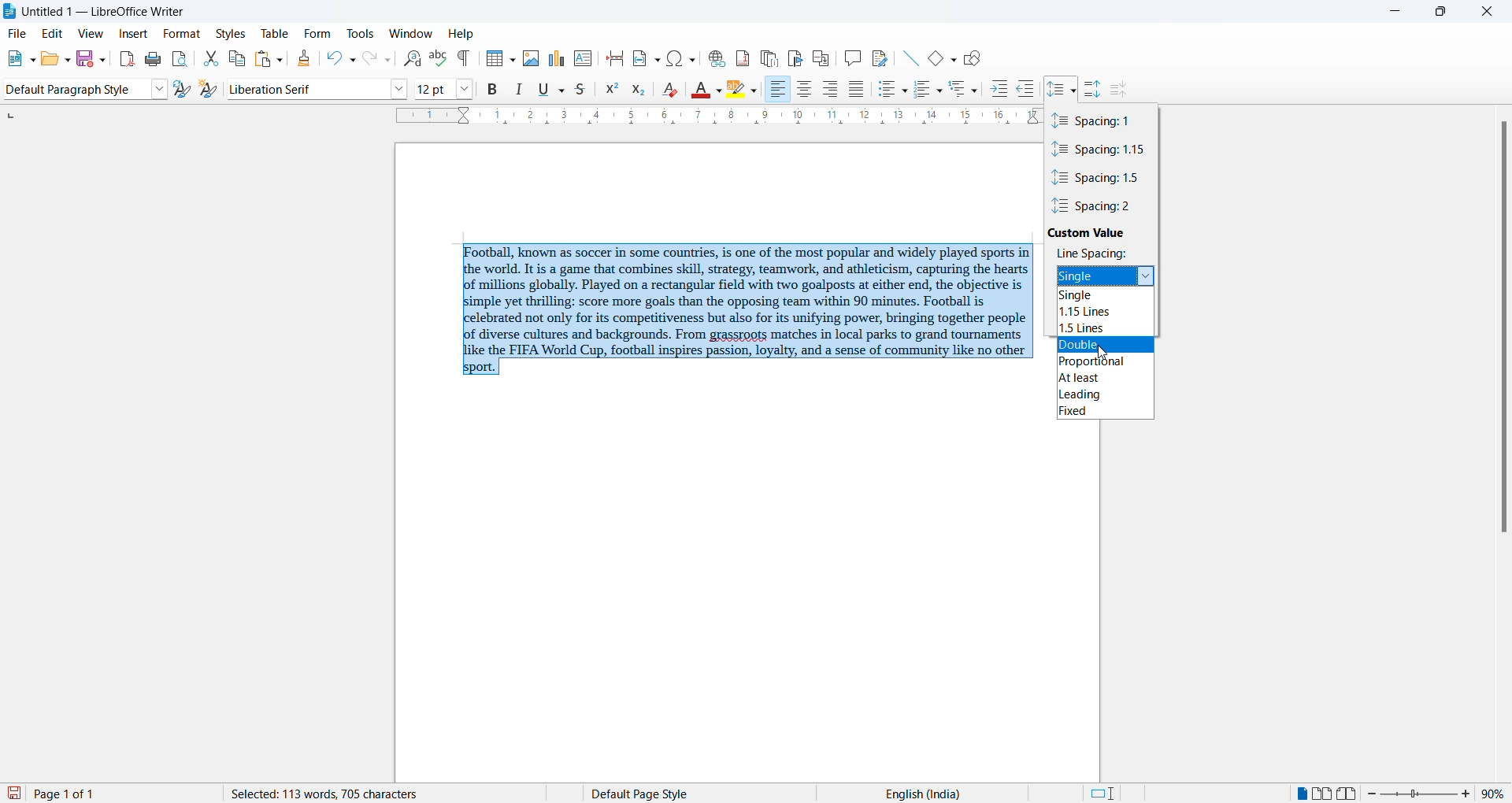 This screenshot has width=1512, height=803. Describe the element at coordinates (680, 60) in the screenshot. I see `insert special character` at that location.